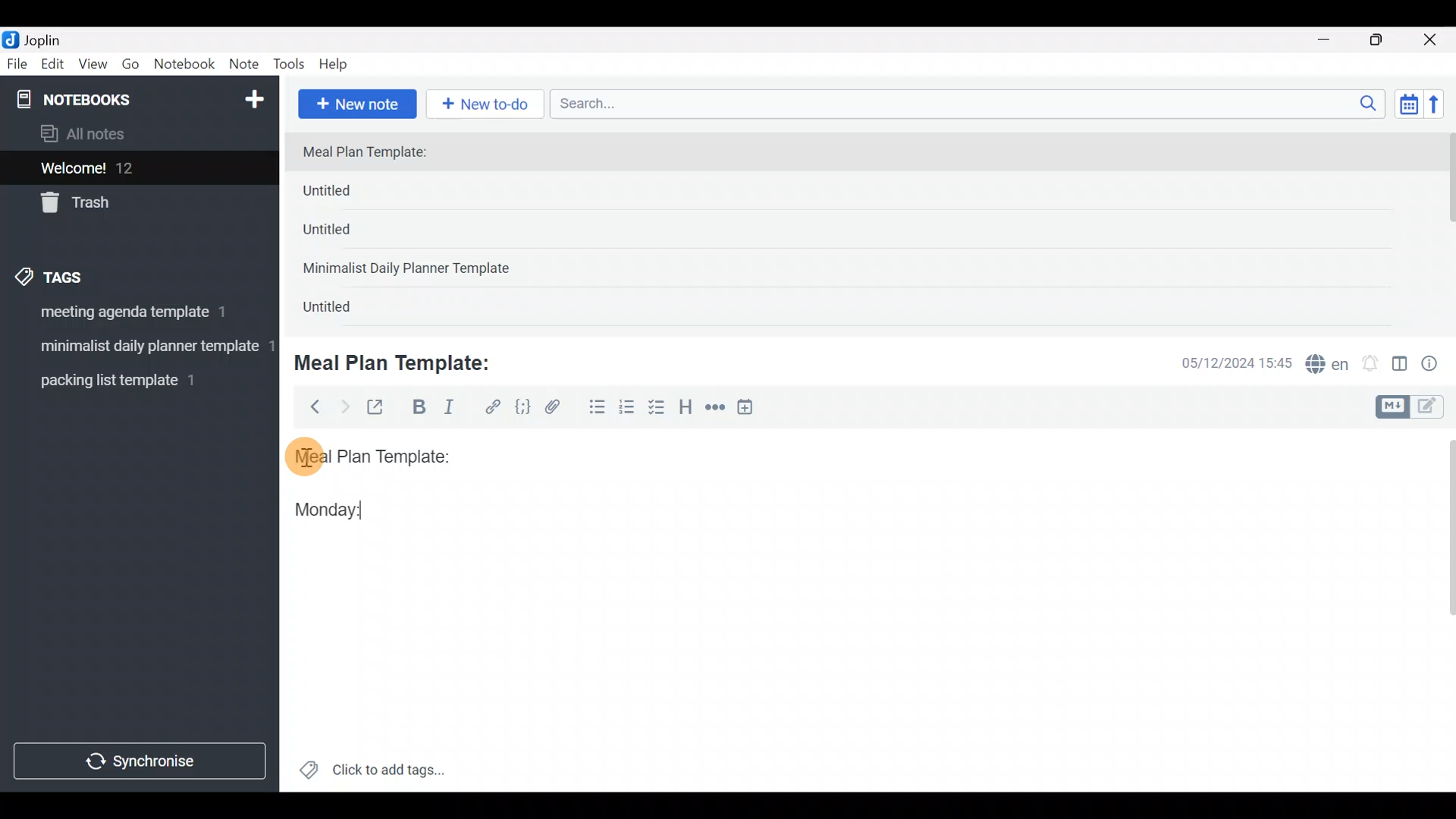 The width and height of the screenshot is (1456, 819). What do you see at coordinates (139, 348) in the screenshot?
I see `Tag 2` at bounding box center [139, 348].